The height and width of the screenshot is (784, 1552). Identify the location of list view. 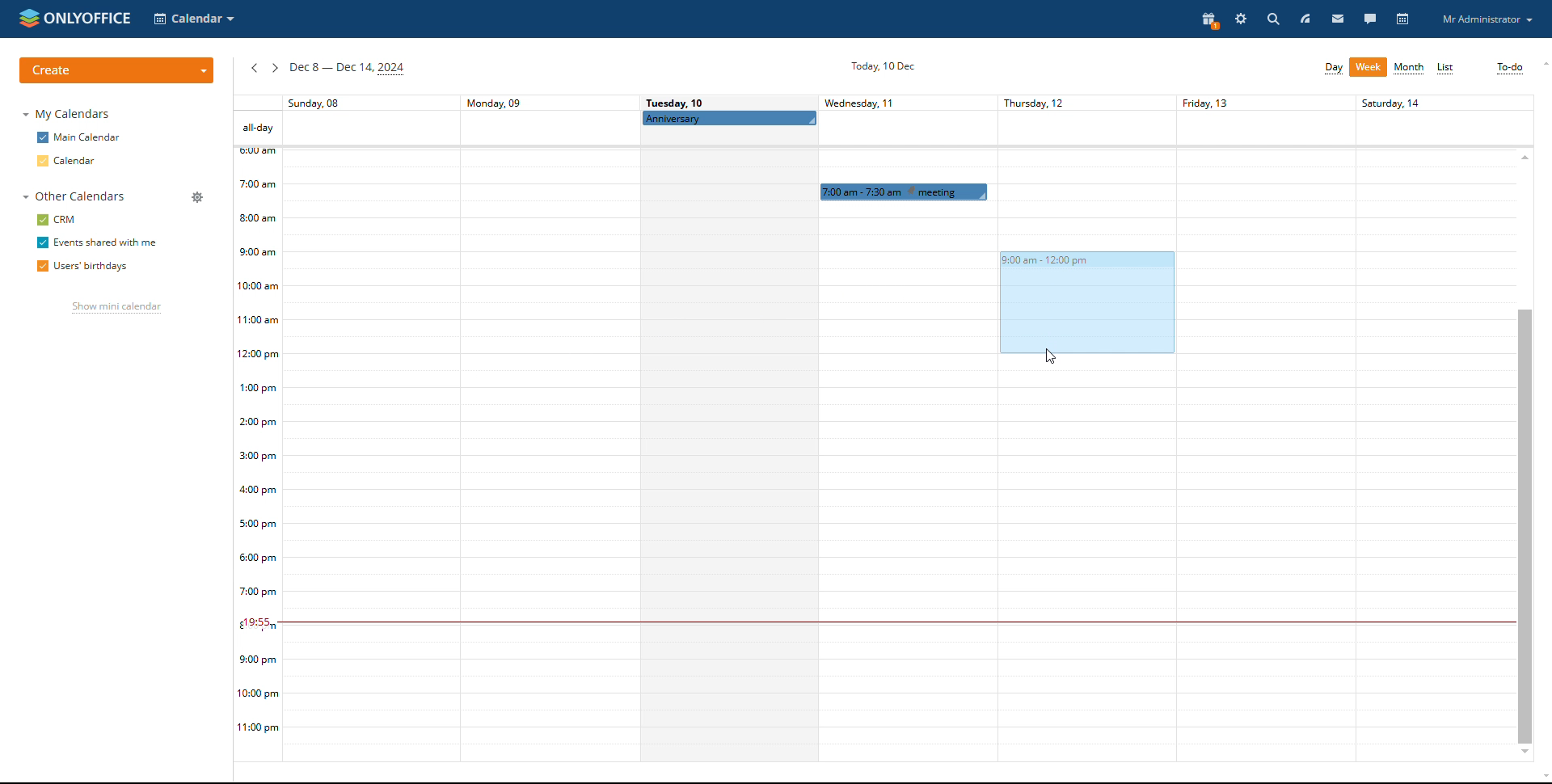
(1446, 69).